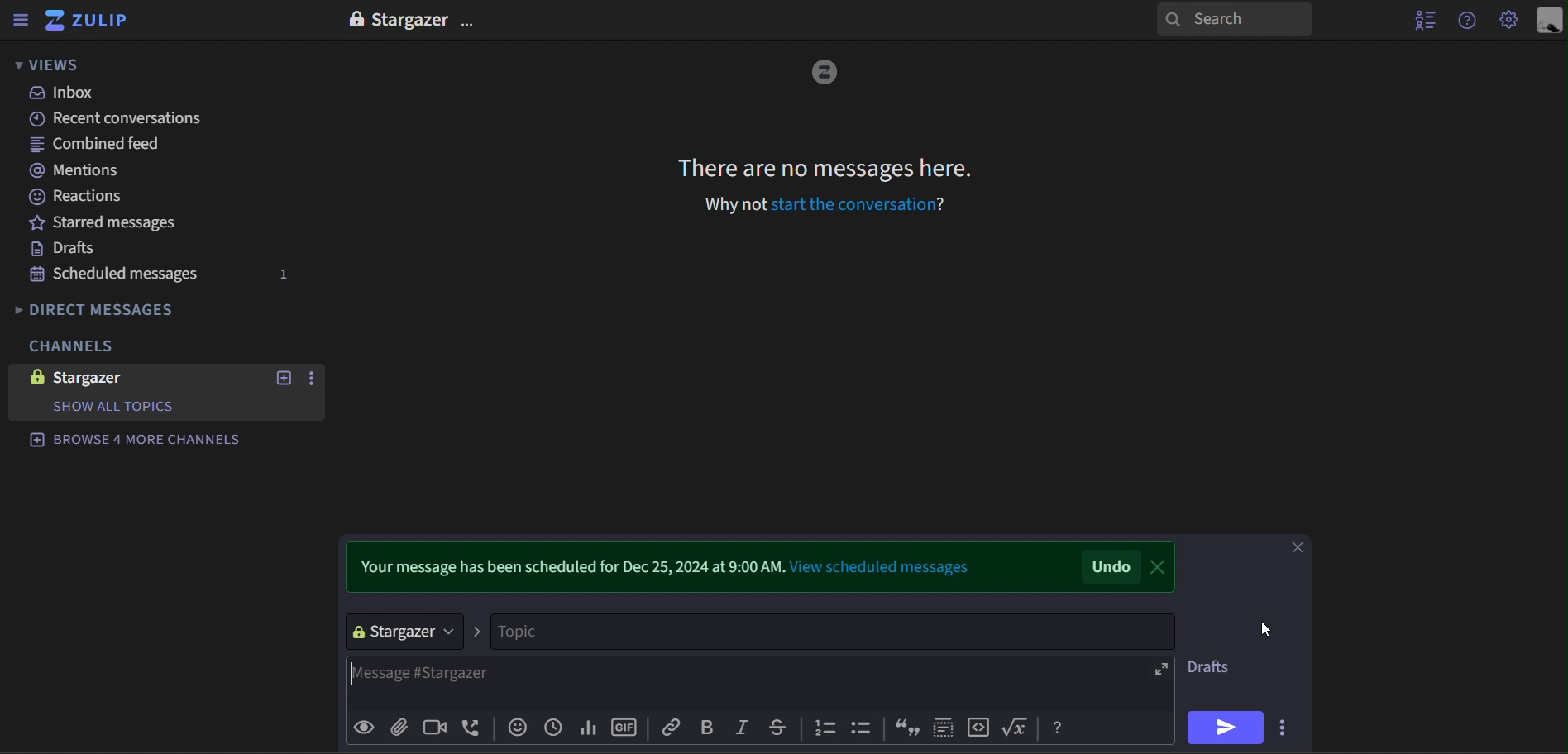 Image resolution: width=1568 pixels, height=754 pixels. What do you see at coordinates (629, 728) in the screenshot?
I see ` gif` at bounding box center [629, 728].